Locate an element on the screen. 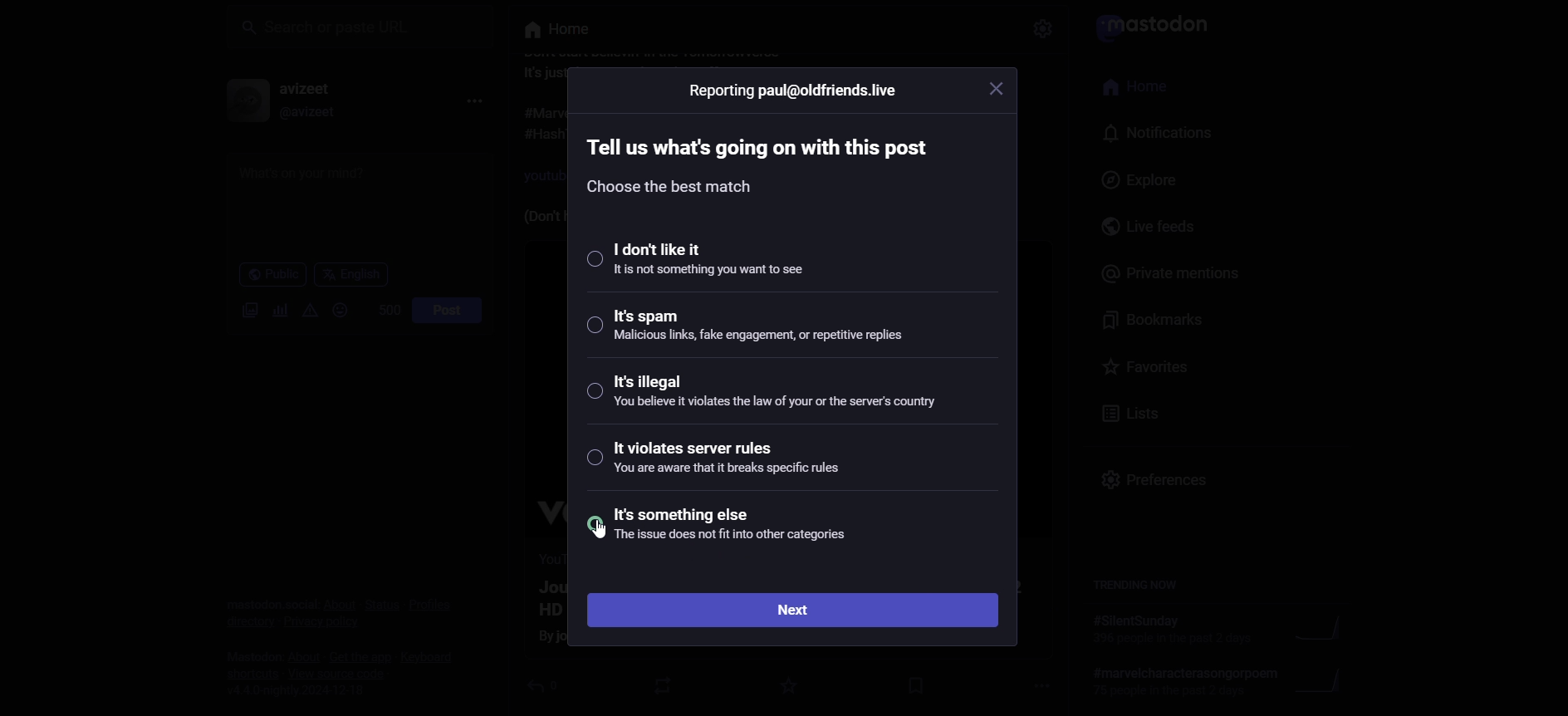 This screenshot has height=716, width=1568. logo is located at coordinates (1147, 28).